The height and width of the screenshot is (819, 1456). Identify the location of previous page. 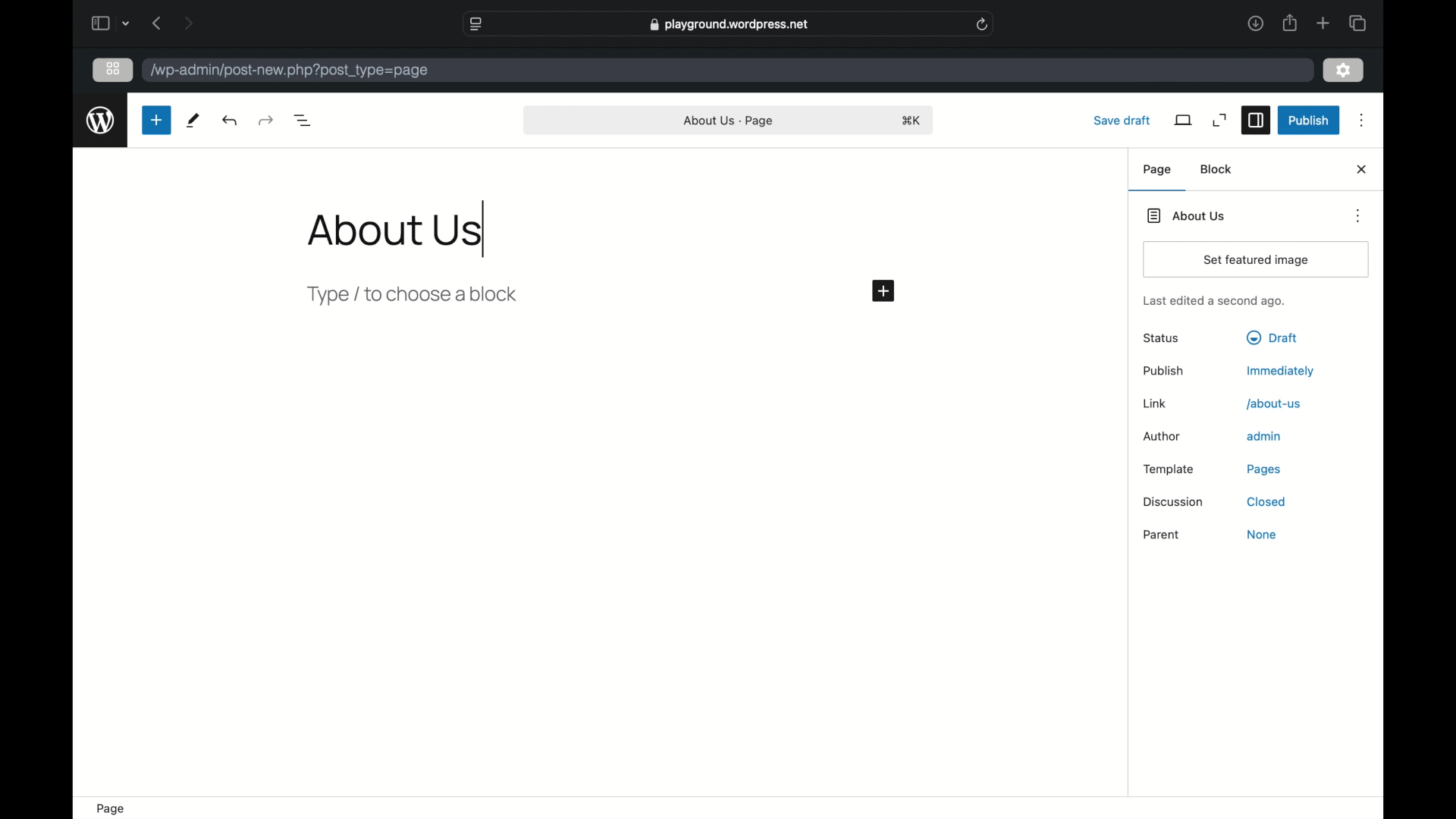
(157, 23).